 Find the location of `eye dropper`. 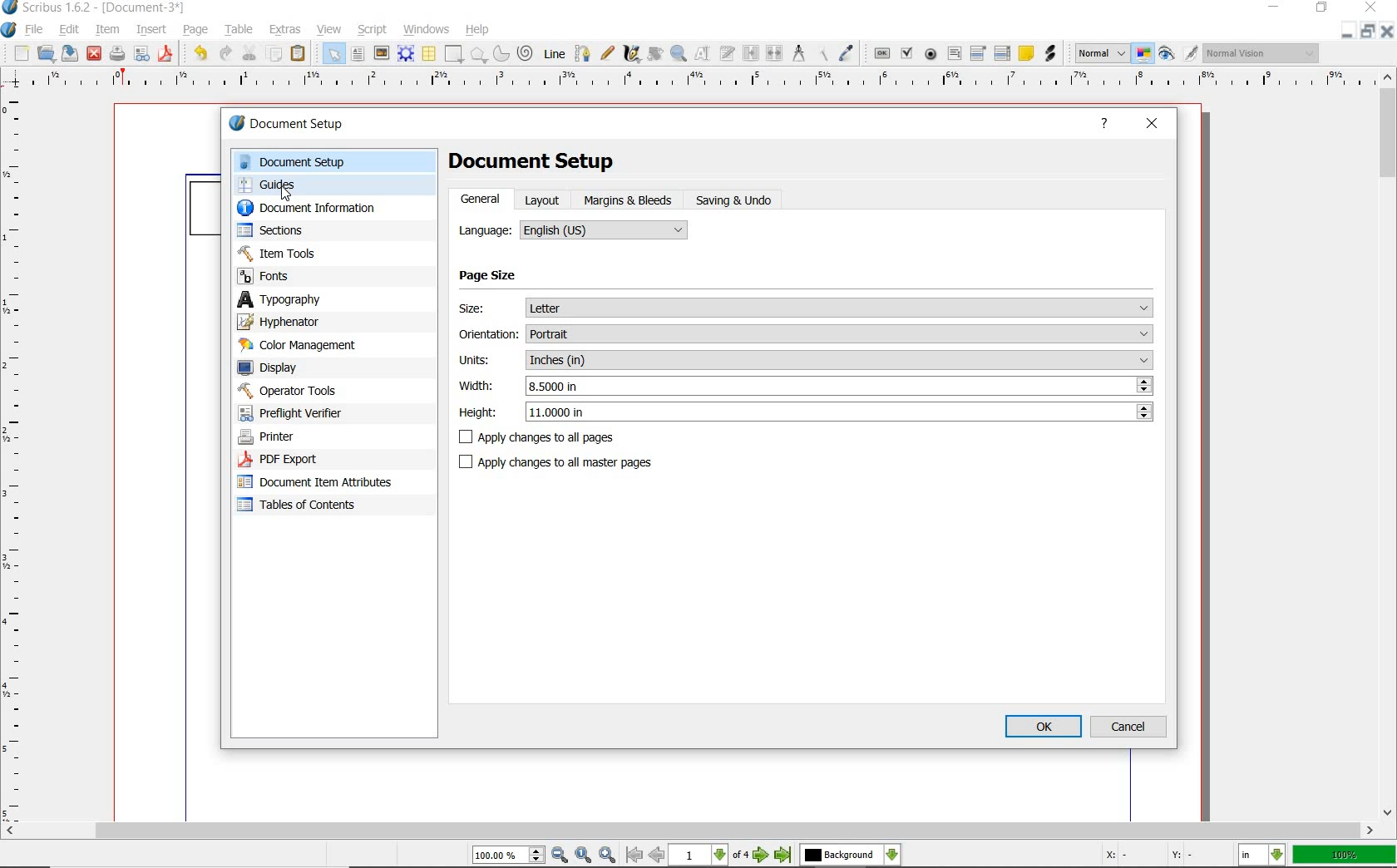

eye dropper is located at coordinates (848, 52).